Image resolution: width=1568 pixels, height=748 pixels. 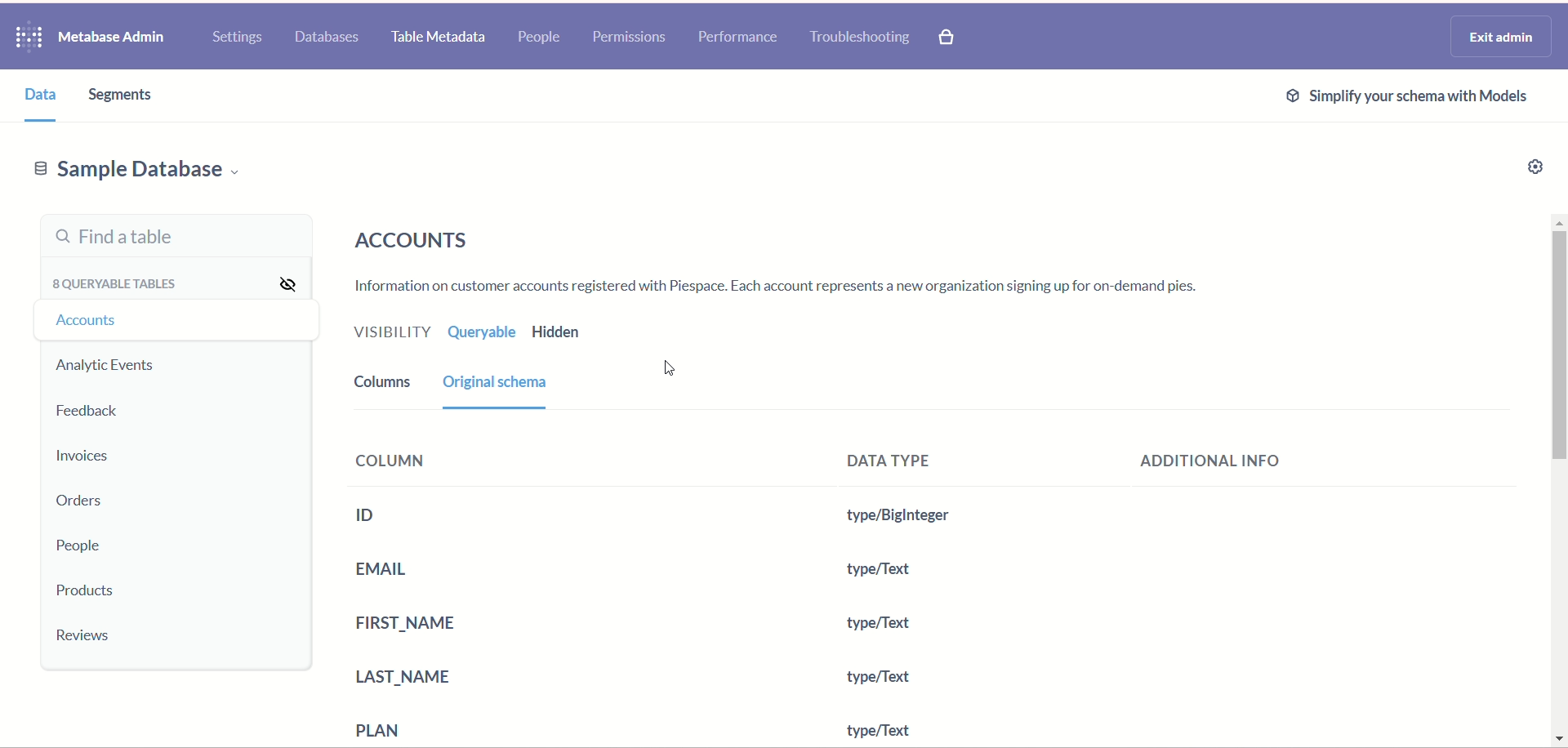 What do you see at coordinates (238, 38) in the screenshot?
I see `settings` at bounding box center [238, 38].